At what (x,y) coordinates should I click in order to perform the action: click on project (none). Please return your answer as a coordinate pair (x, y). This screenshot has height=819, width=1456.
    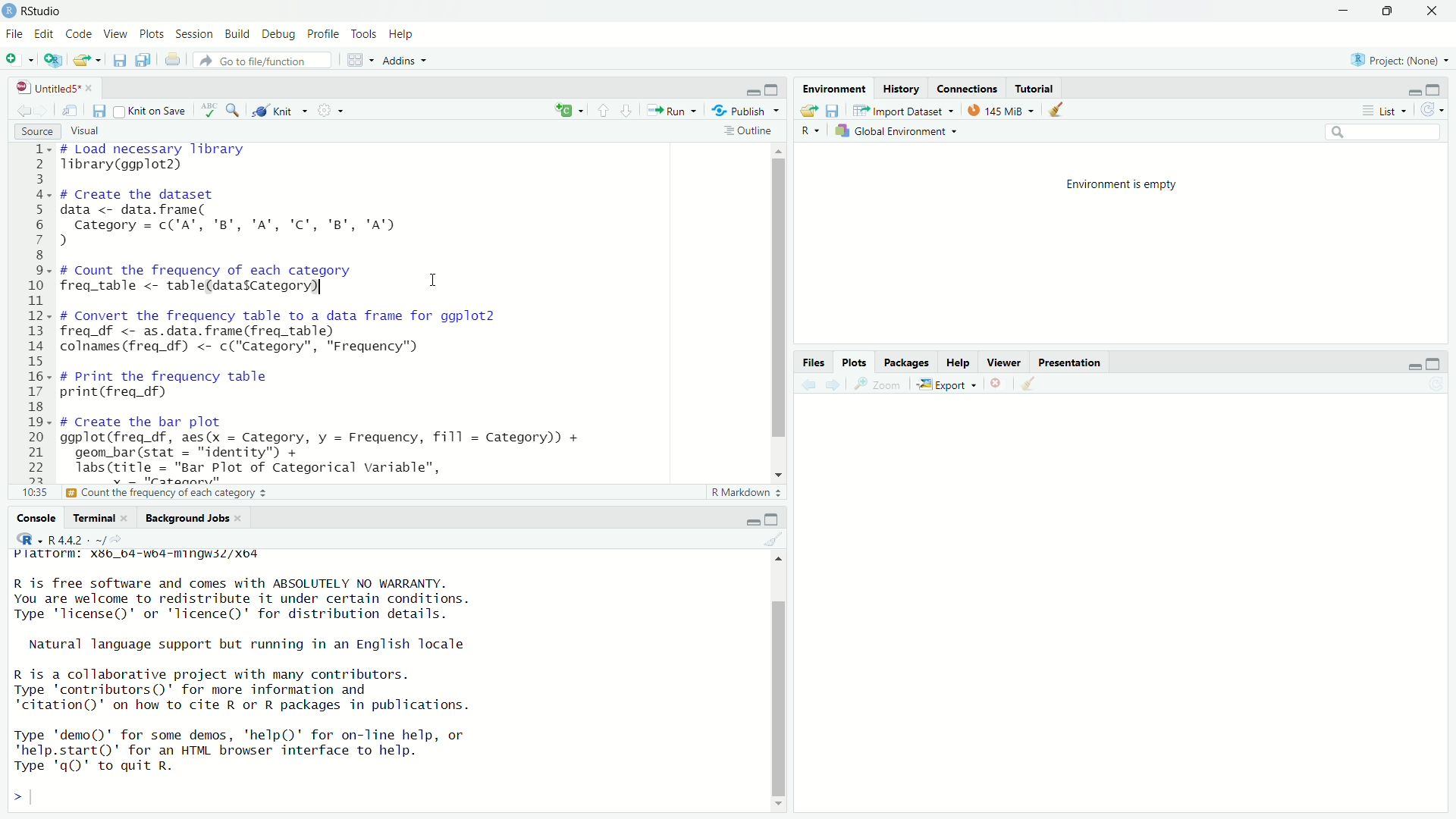
    Looking at the image, I should click on (1402, 61).